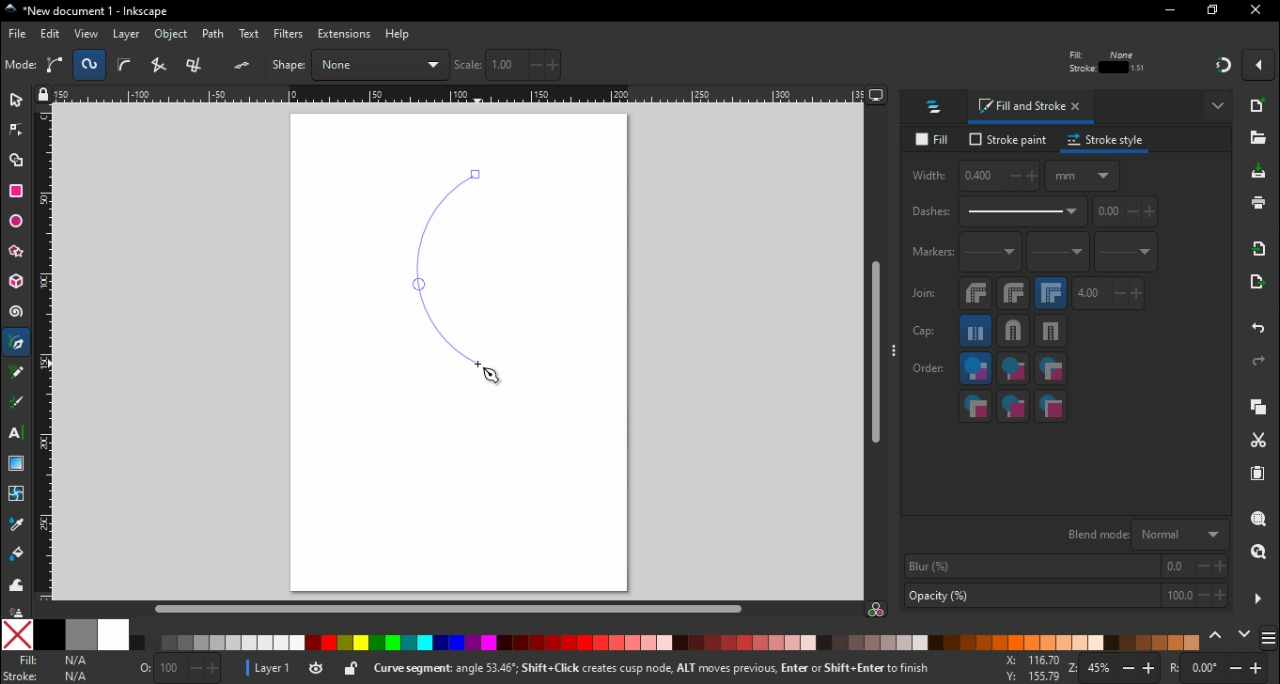  I want to click on start marker, so click(992, 257).